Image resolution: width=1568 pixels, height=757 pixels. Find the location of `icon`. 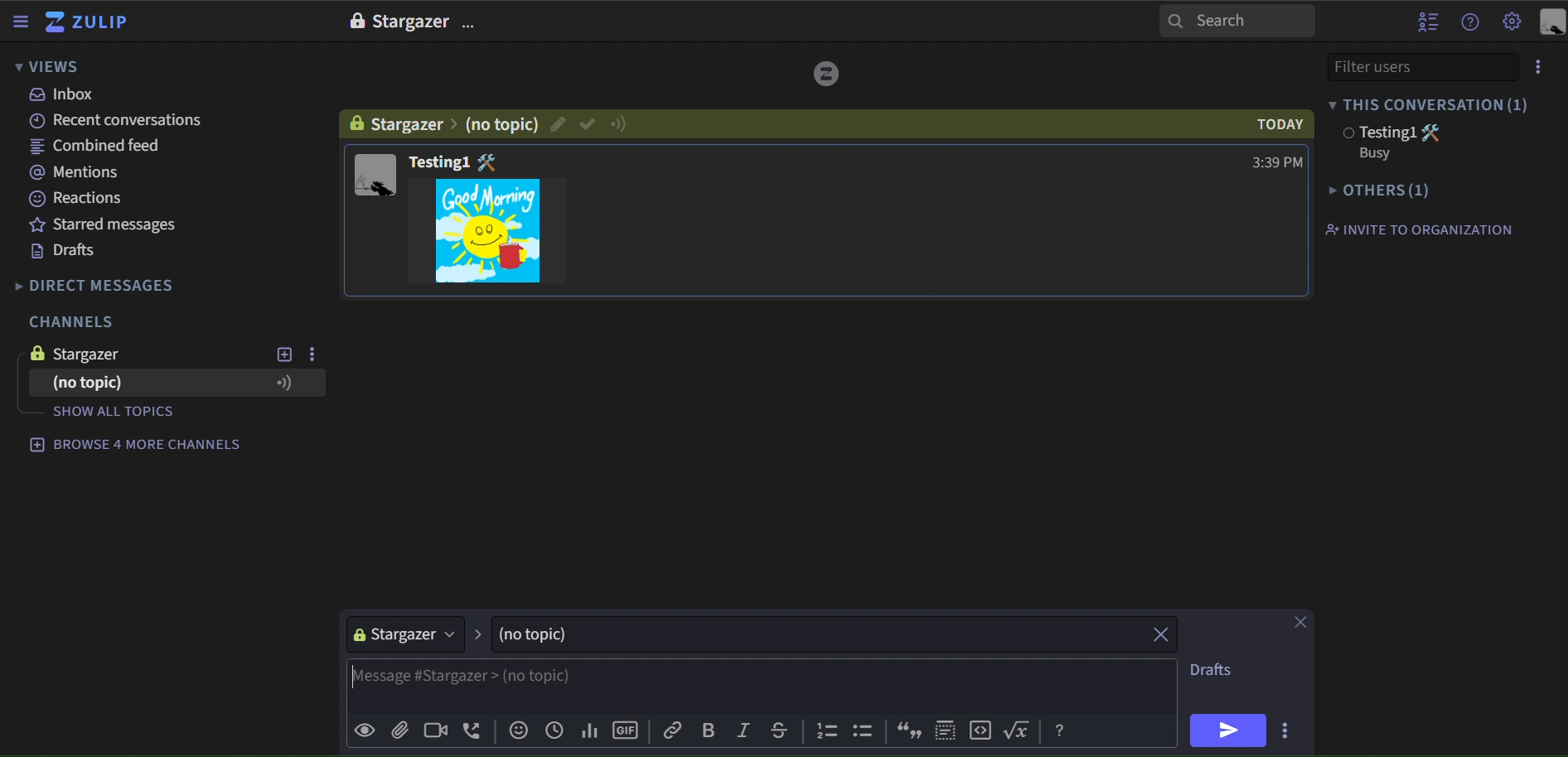

icon is located at coordinates (1434, 130).